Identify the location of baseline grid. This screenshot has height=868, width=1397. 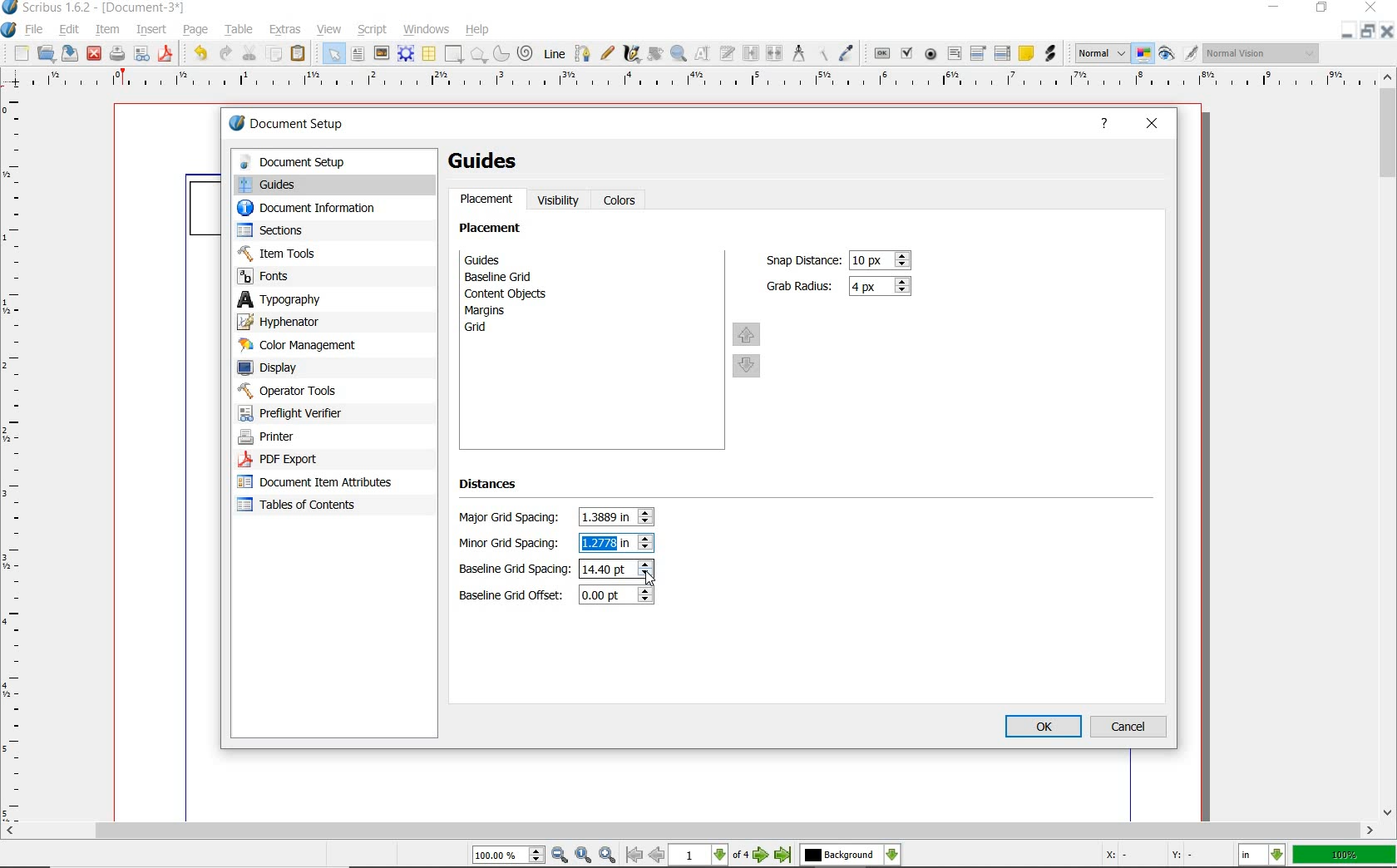
(503, 277).